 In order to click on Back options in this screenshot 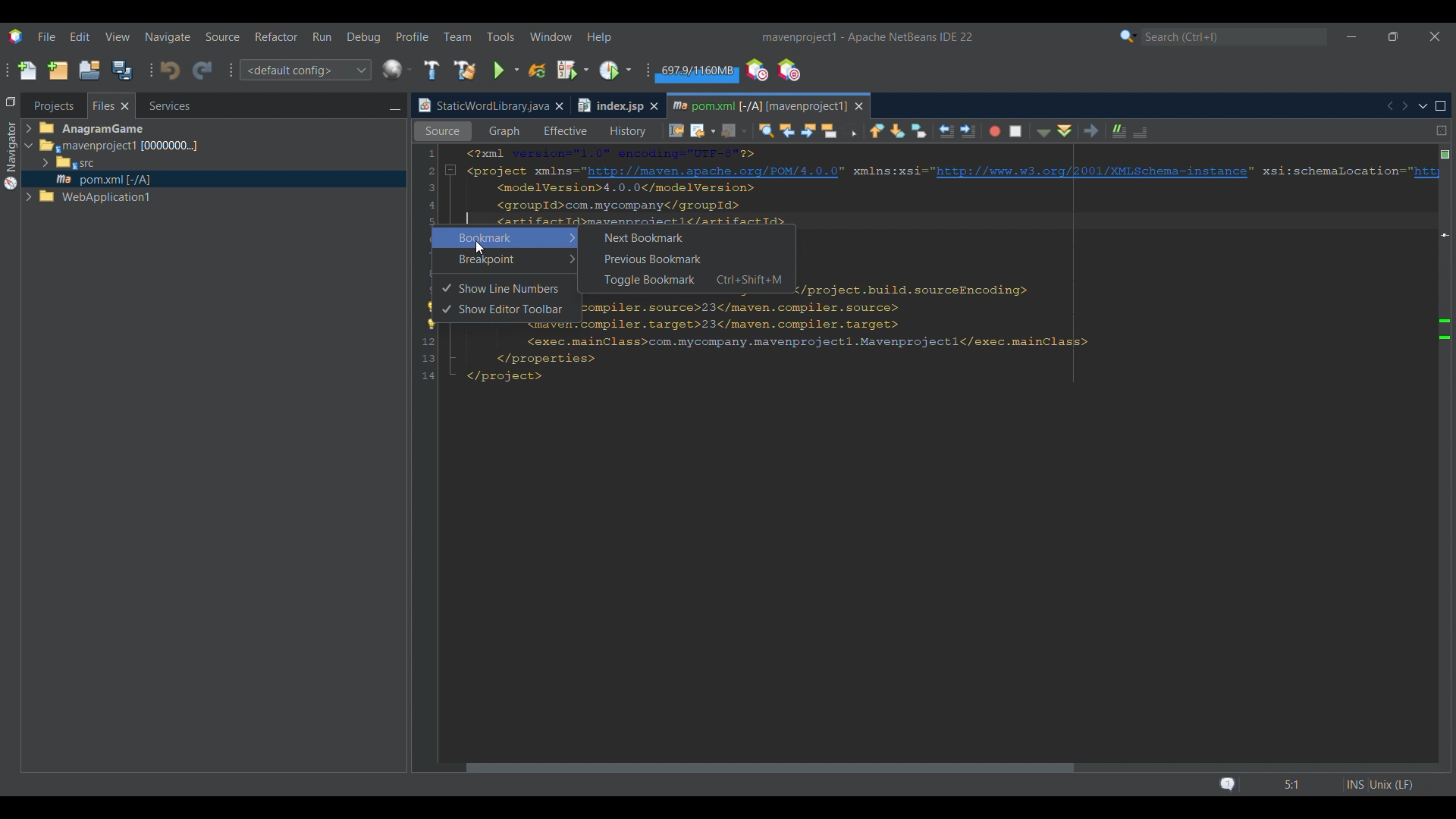, I will do `click(699, 130)`.